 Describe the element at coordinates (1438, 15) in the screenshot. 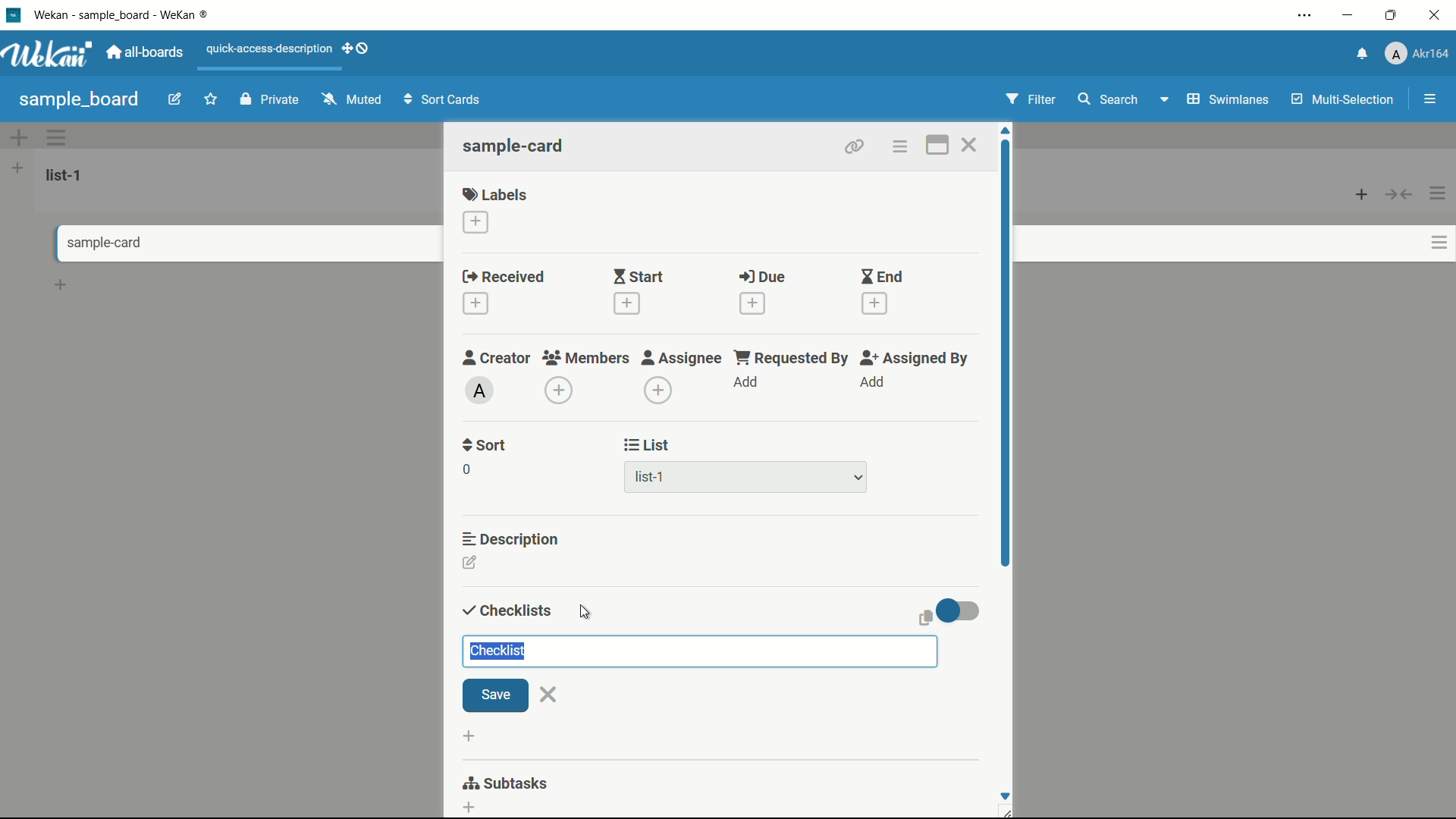

I see `close app` at that location.